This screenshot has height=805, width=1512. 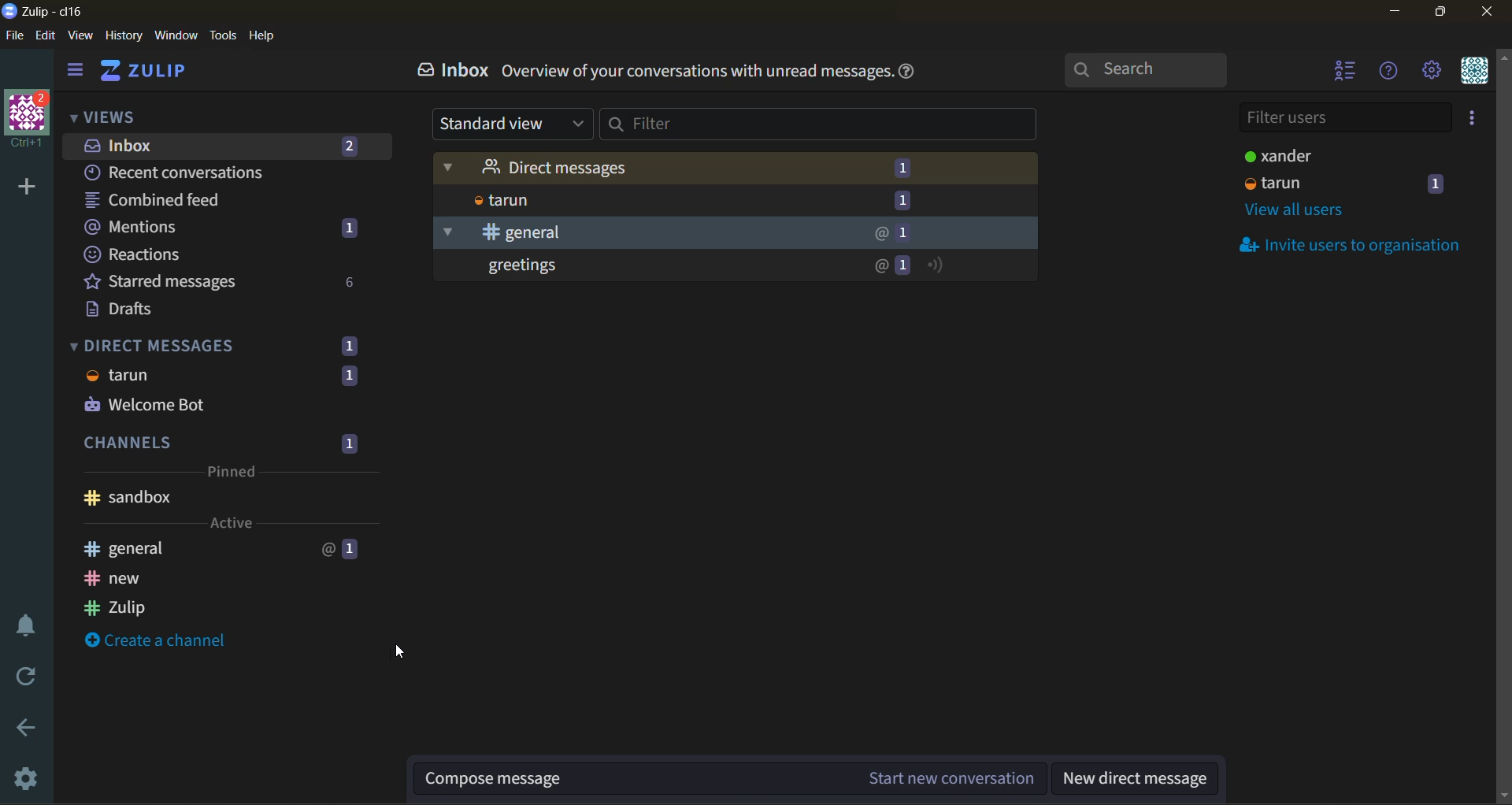 I want to click on standard view, so click(x=515, y=124).